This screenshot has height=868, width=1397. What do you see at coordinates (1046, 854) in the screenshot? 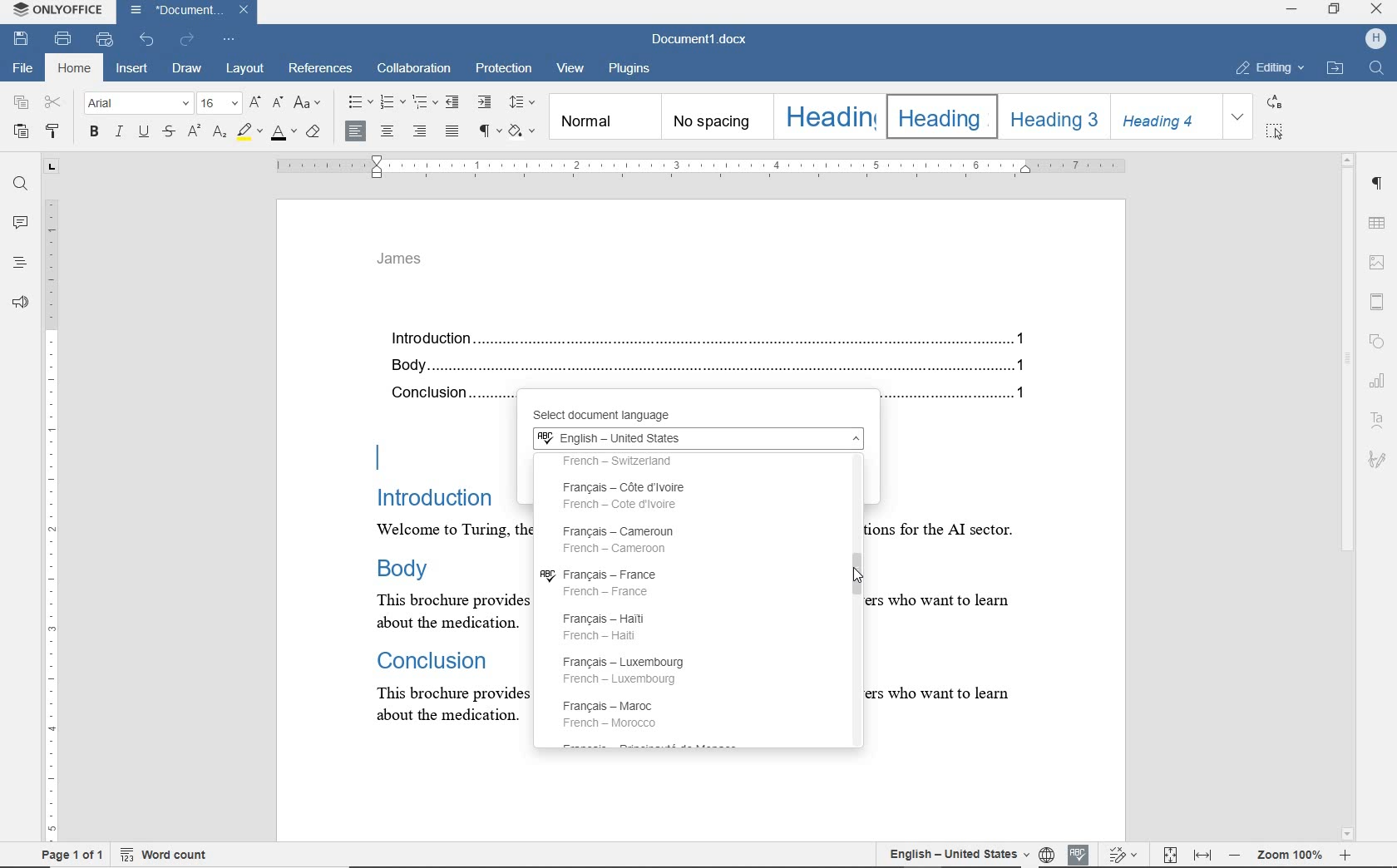
I see `language` at bounding box center [1046, 854].